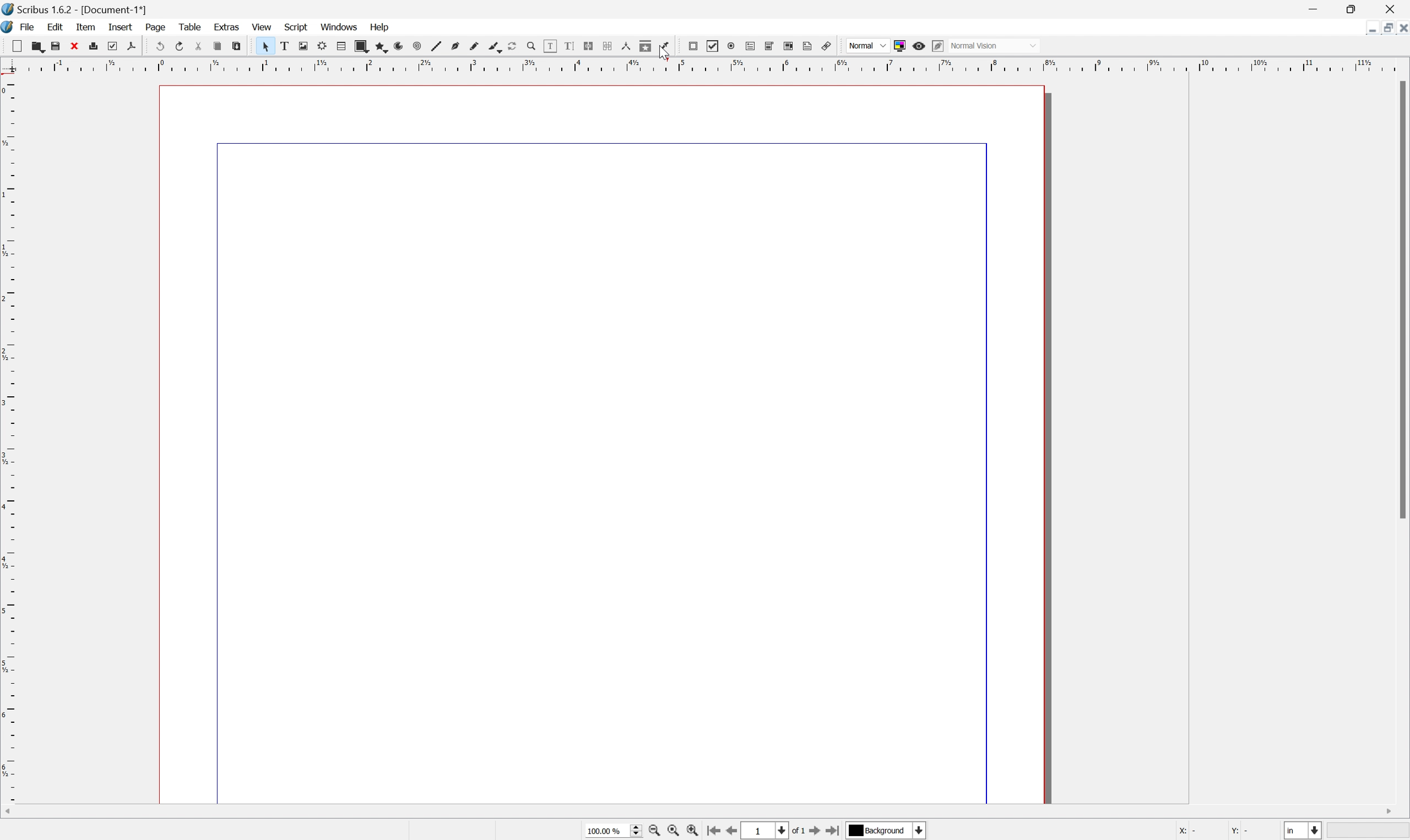  Describe the element at coordinates (732, 46) in the screenshot. I see `PDF radio button` at that location.